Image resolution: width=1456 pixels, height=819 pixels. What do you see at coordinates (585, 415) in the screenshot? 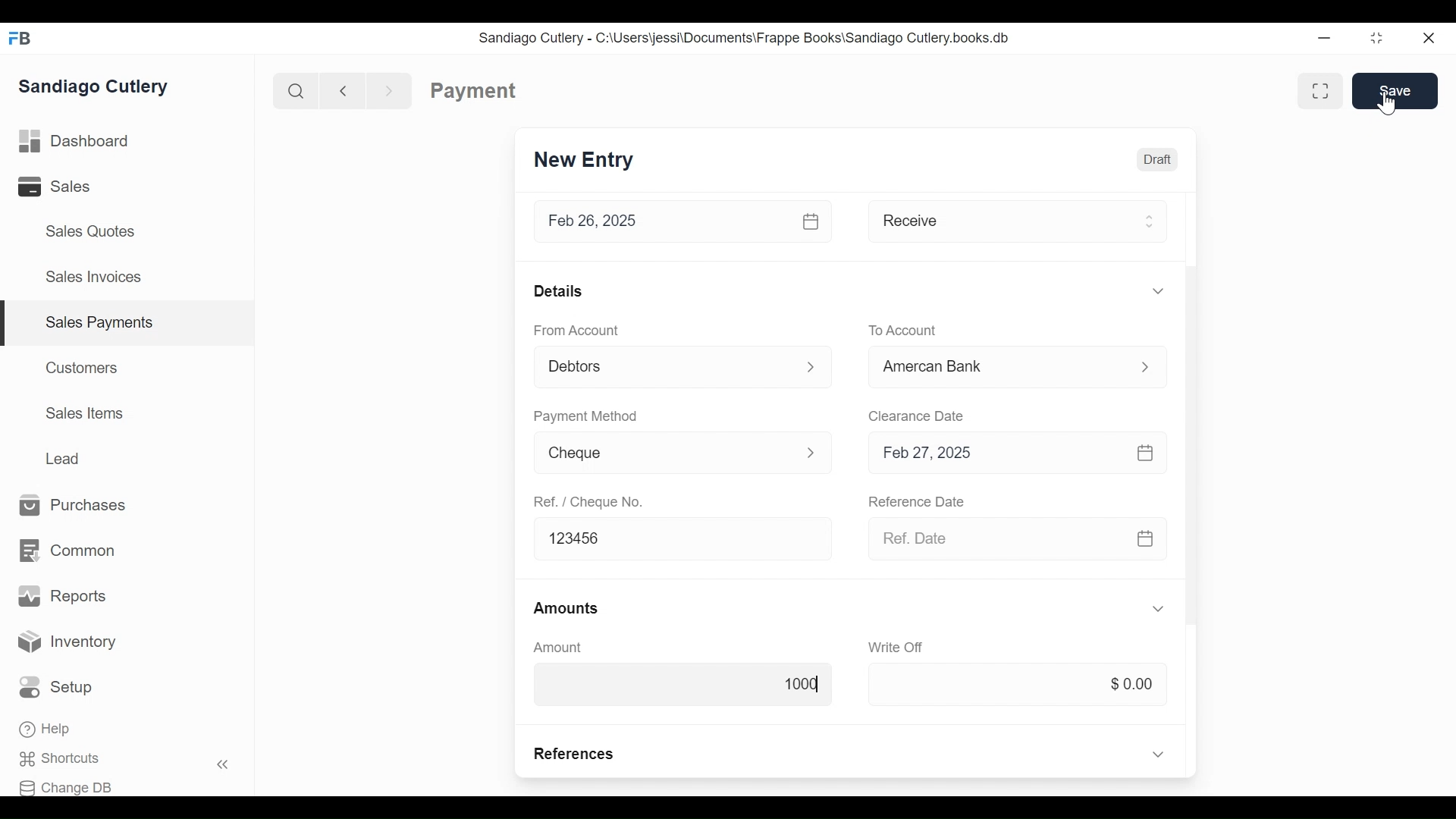
I see `Payment Method` at bounding box center [585, 415].